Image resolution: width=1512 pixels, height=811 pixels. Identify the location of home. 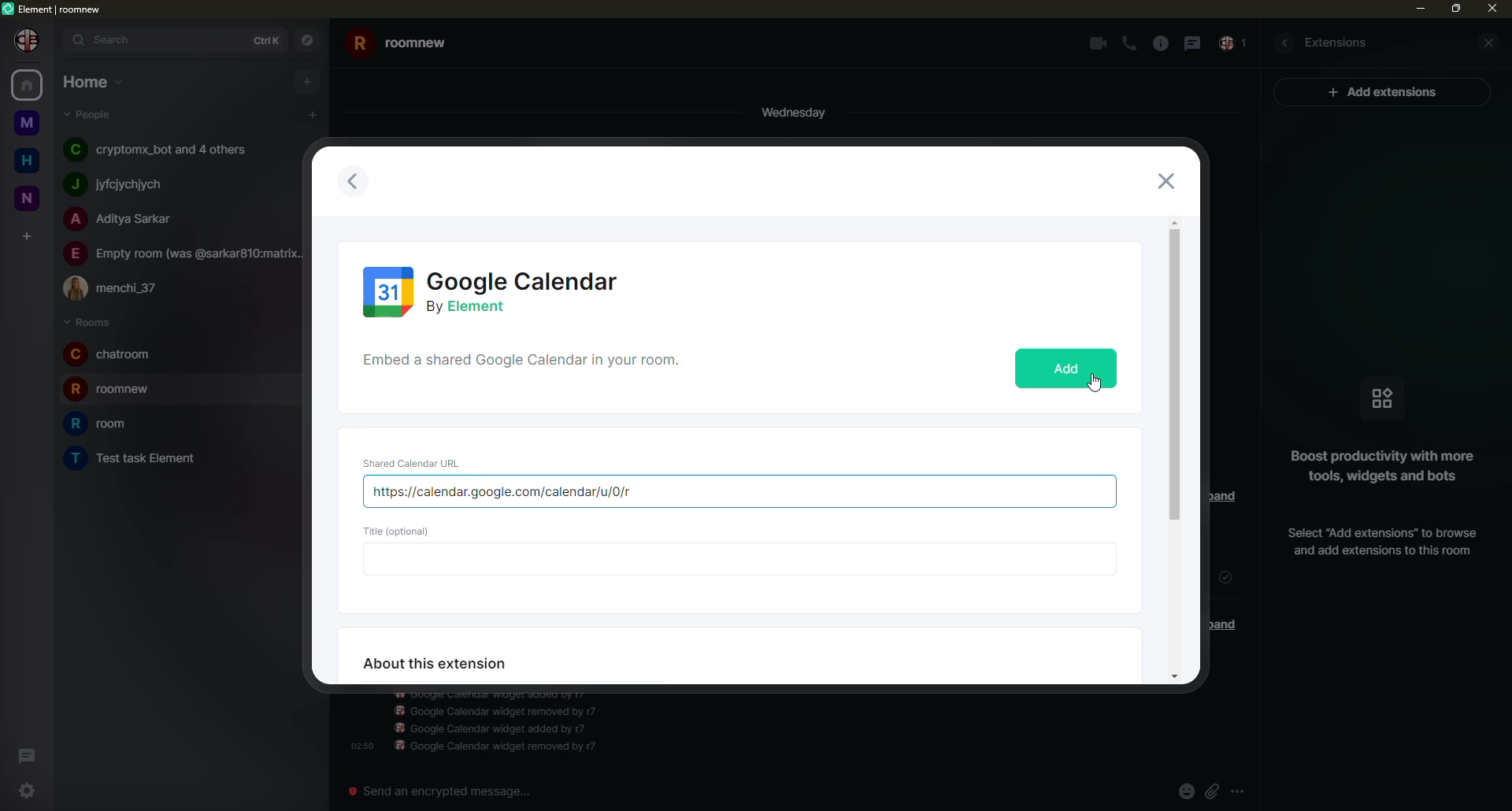
(91, 81).